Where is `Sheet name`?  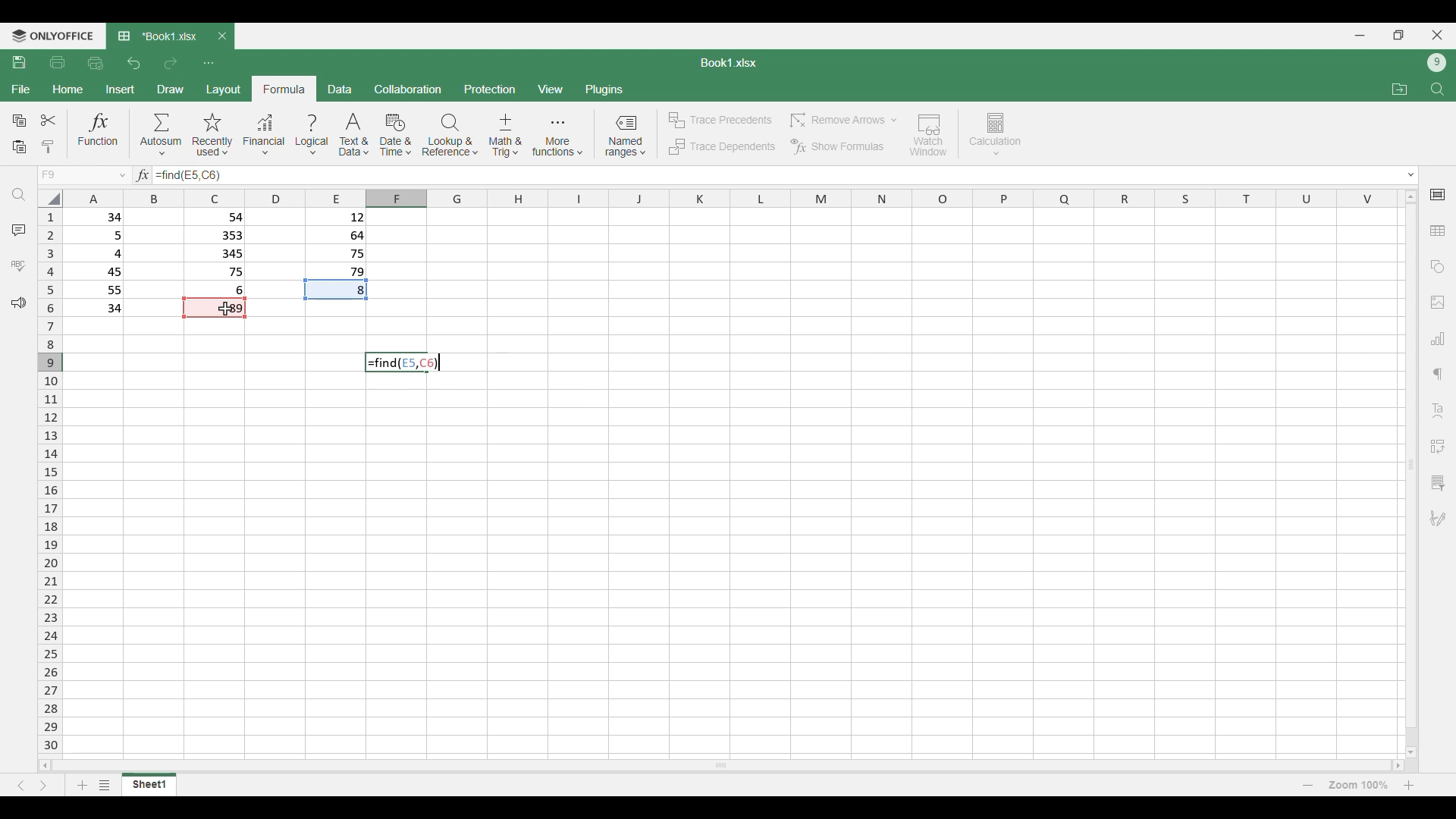
Sheet name is located at coordinates (729, 63).